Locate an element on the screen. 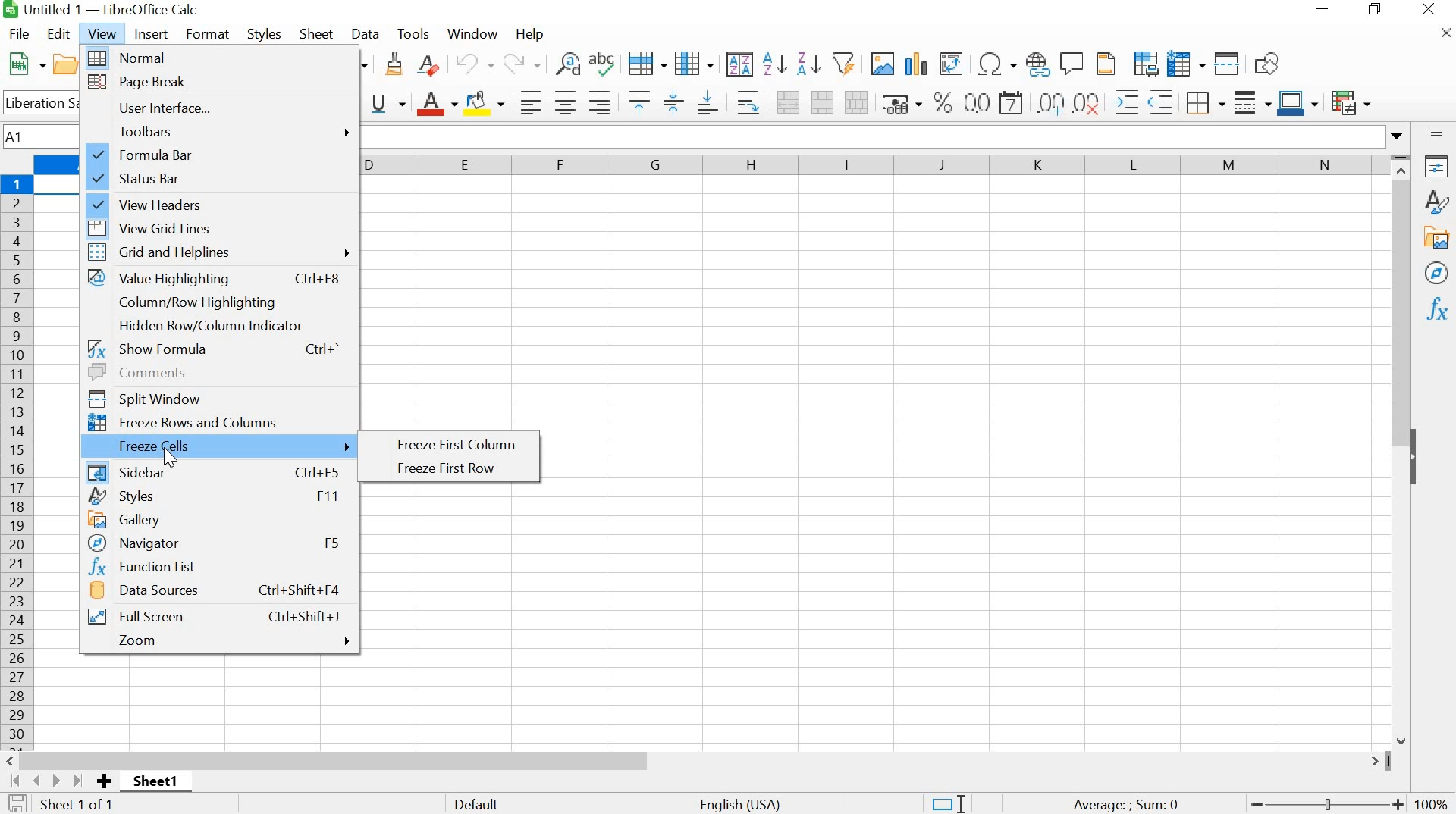 The image size is (1456, 814). DEFAULT is located at coordinates (518, 803).